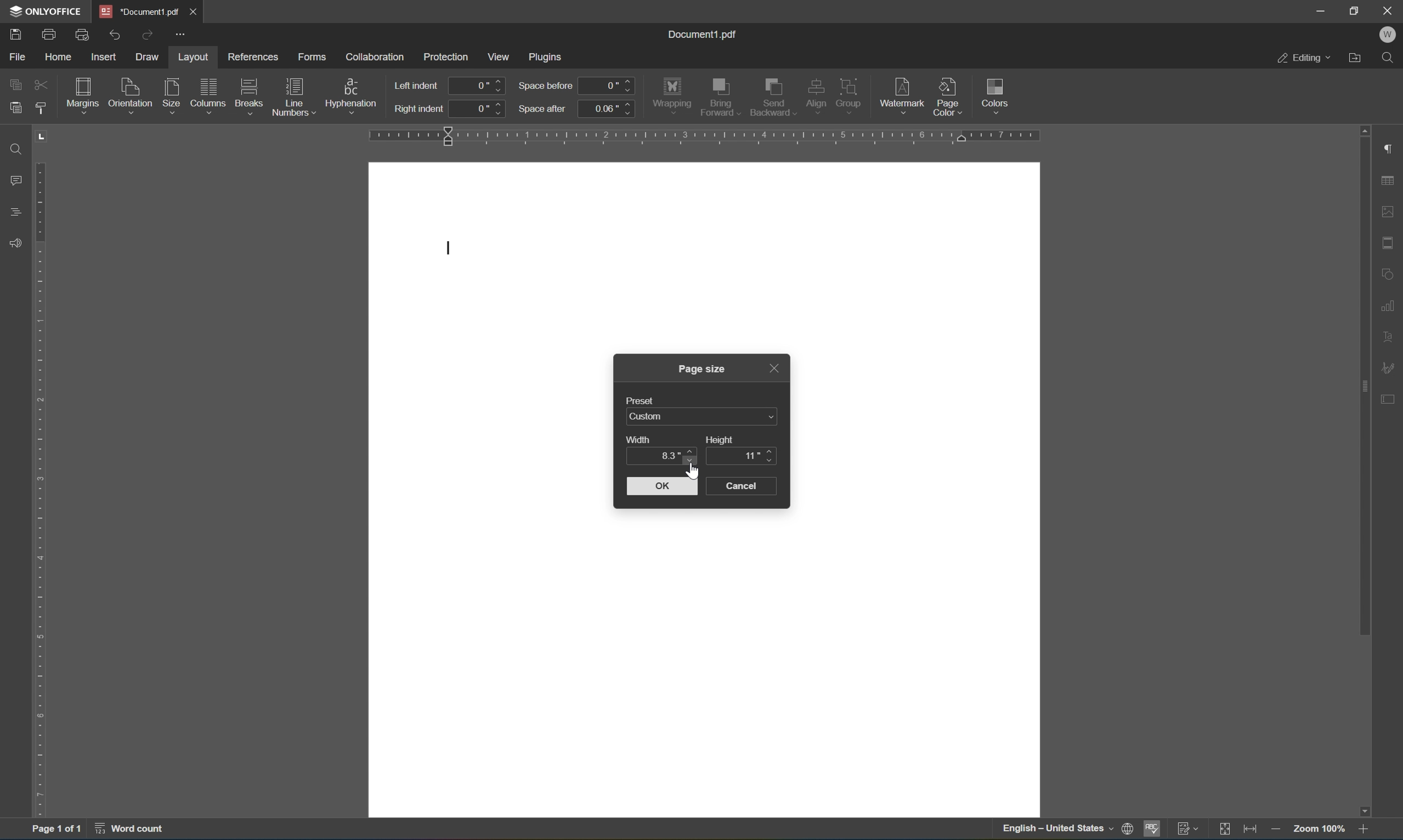 The height and width of the screenshot is (840, 1403). Describe the element at coordinates (49, 32) in the screenshot. I see `print` at that location.